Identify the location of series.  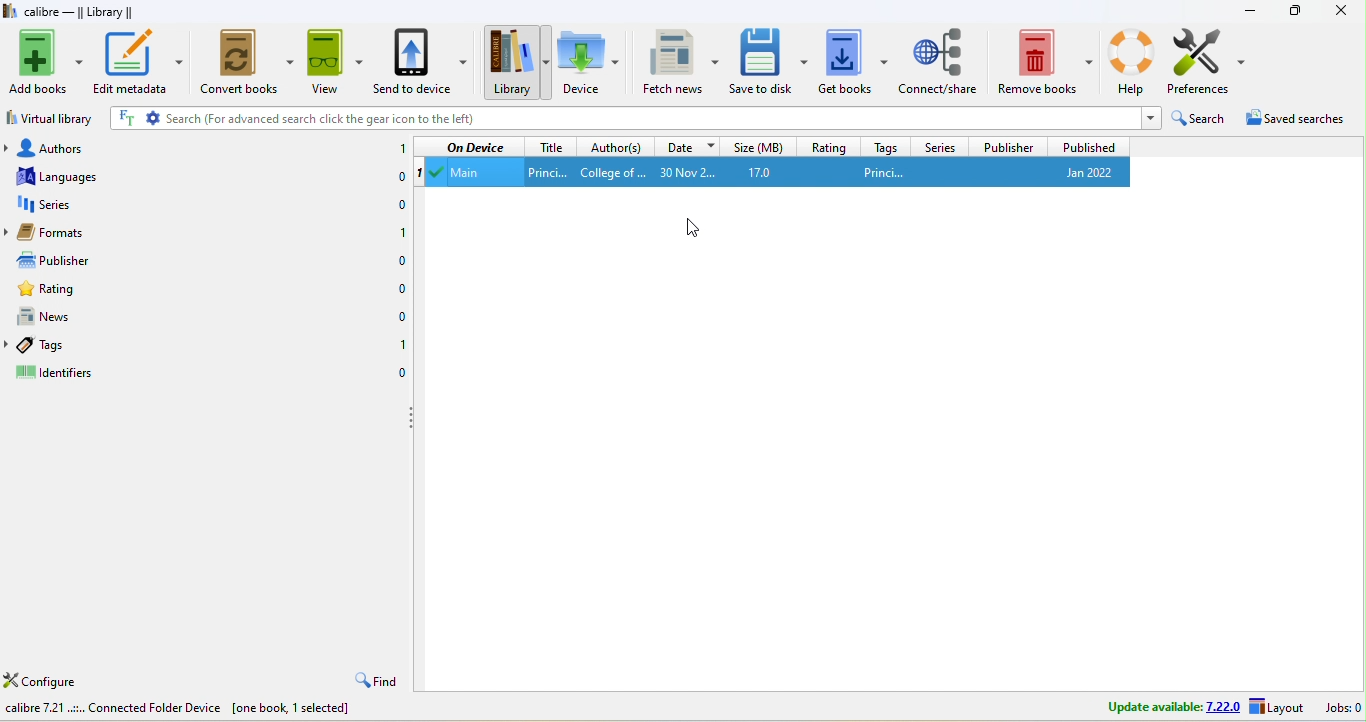
(58, 204).